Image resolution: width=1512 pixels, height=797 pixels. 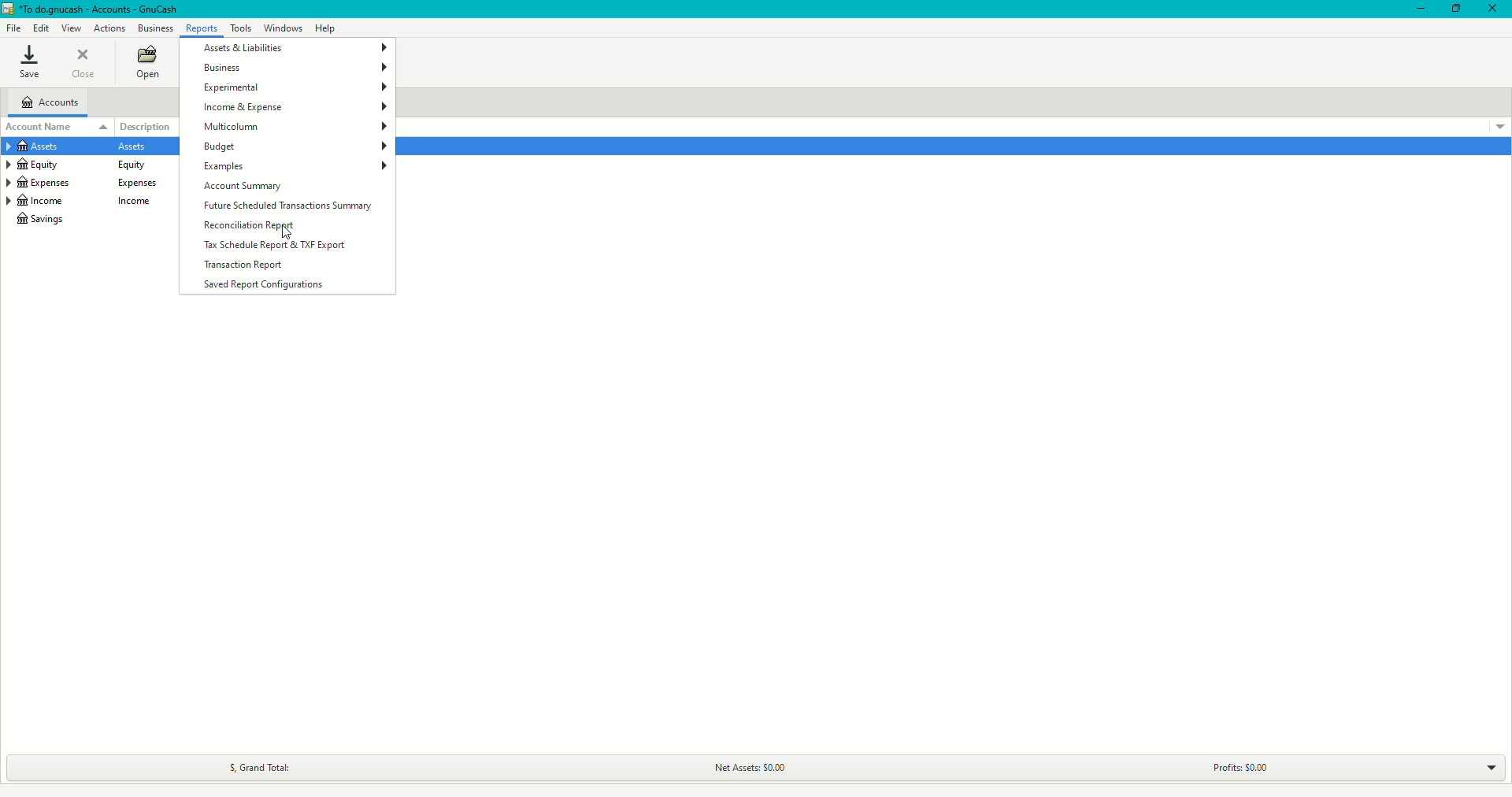 I want to click on Equity, so click(x=82, y=165).